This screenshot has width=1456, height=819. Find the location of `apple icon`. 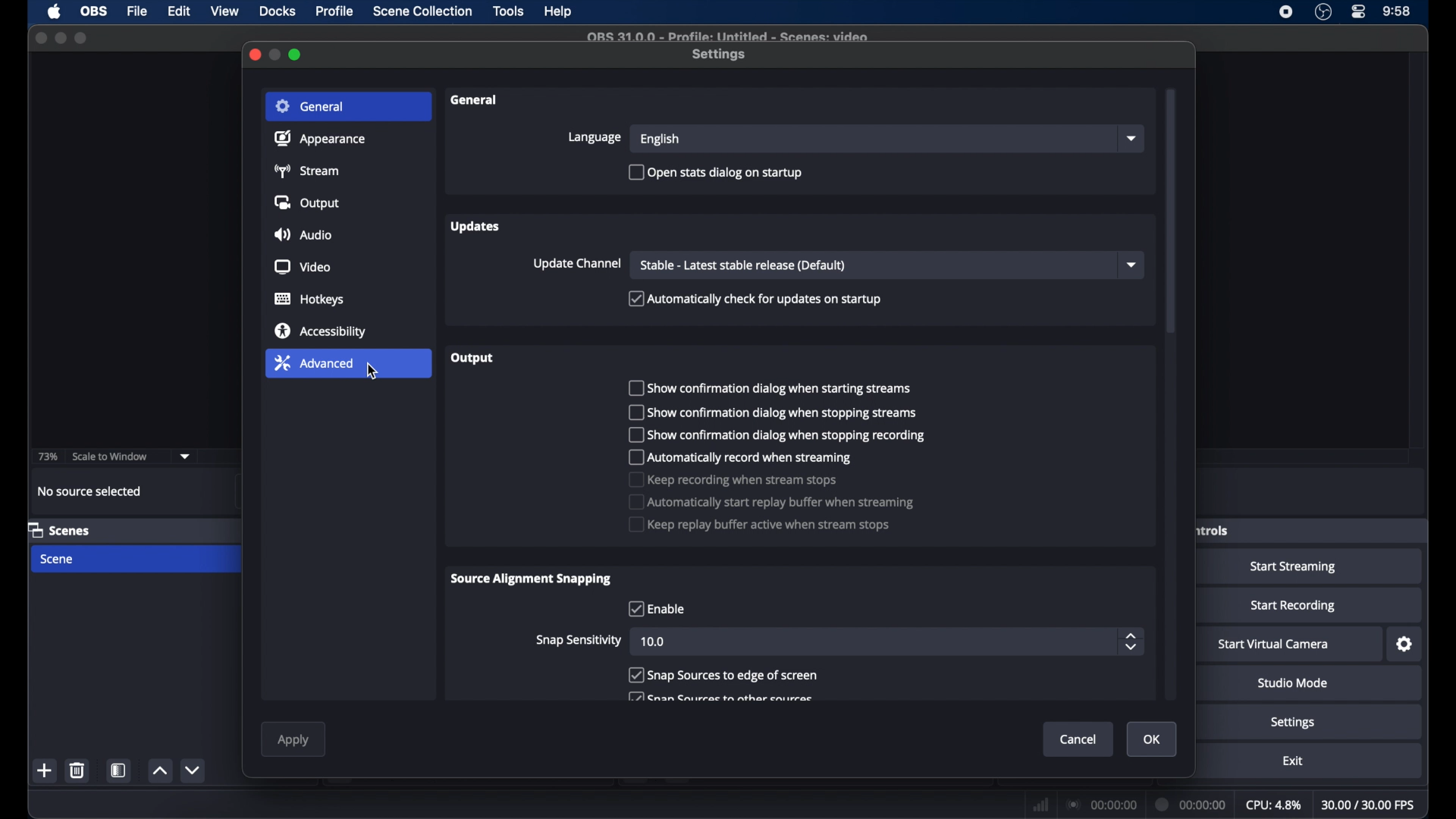

apple icon is located at coordinates (54, 12).